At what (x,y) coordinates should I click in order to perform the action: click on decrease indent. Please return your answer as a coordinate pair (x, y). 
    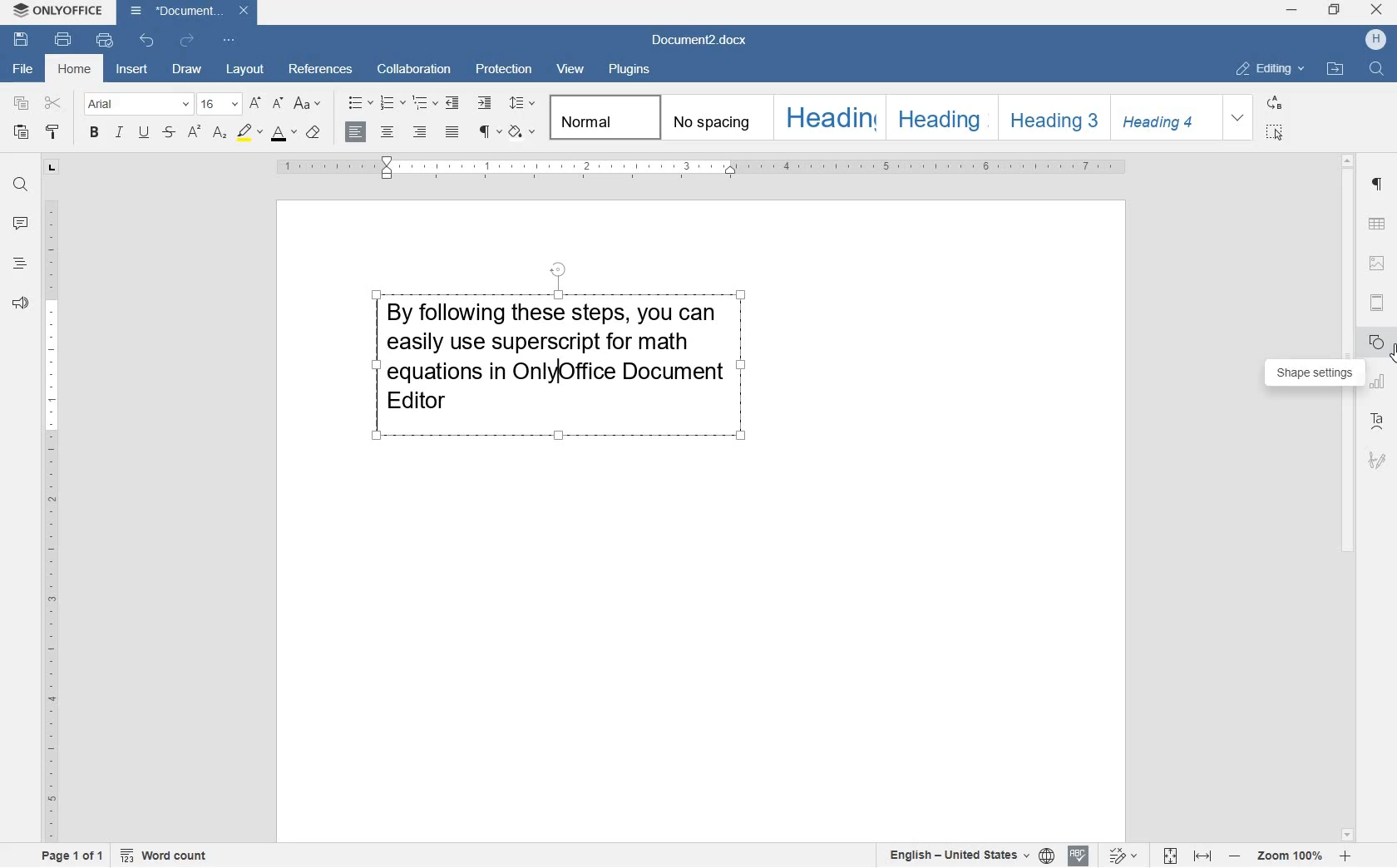
    Looking at the image, I should click on (453, 104).